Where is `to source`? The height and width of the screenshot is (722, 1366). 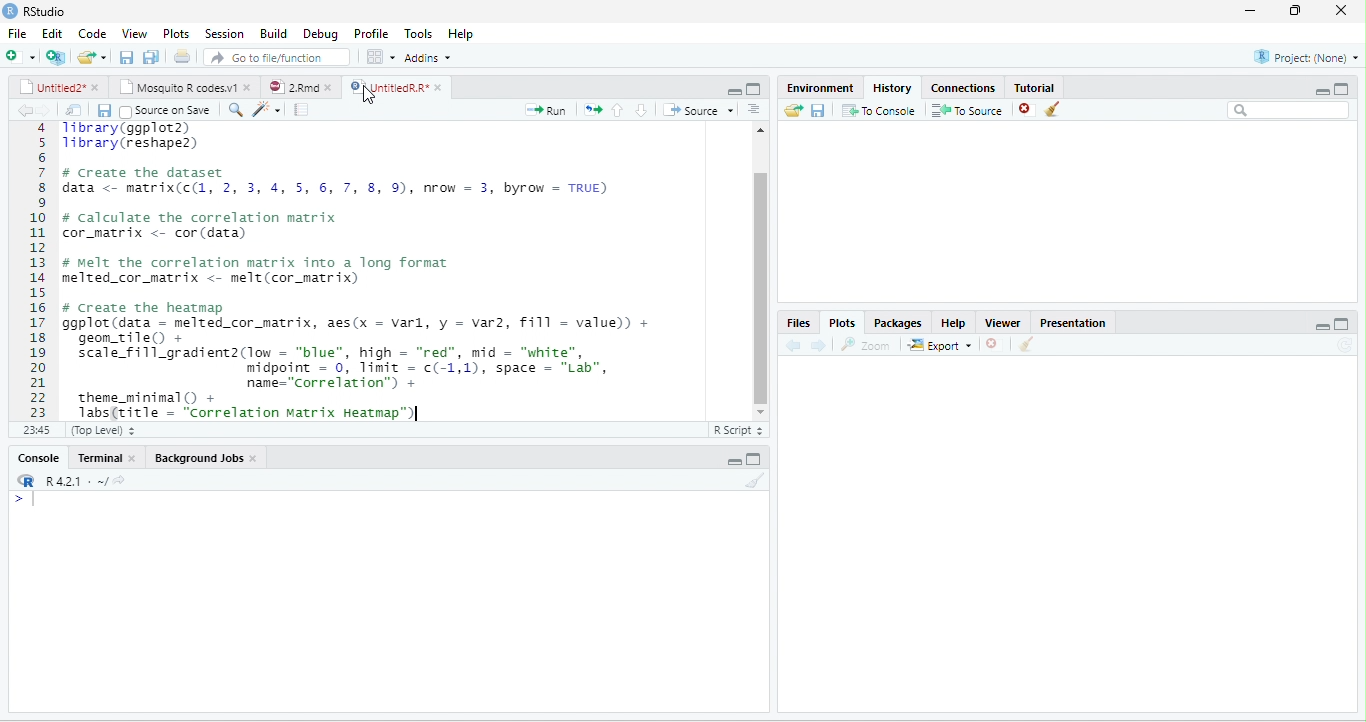 to source is located at coordinates (965, 111).